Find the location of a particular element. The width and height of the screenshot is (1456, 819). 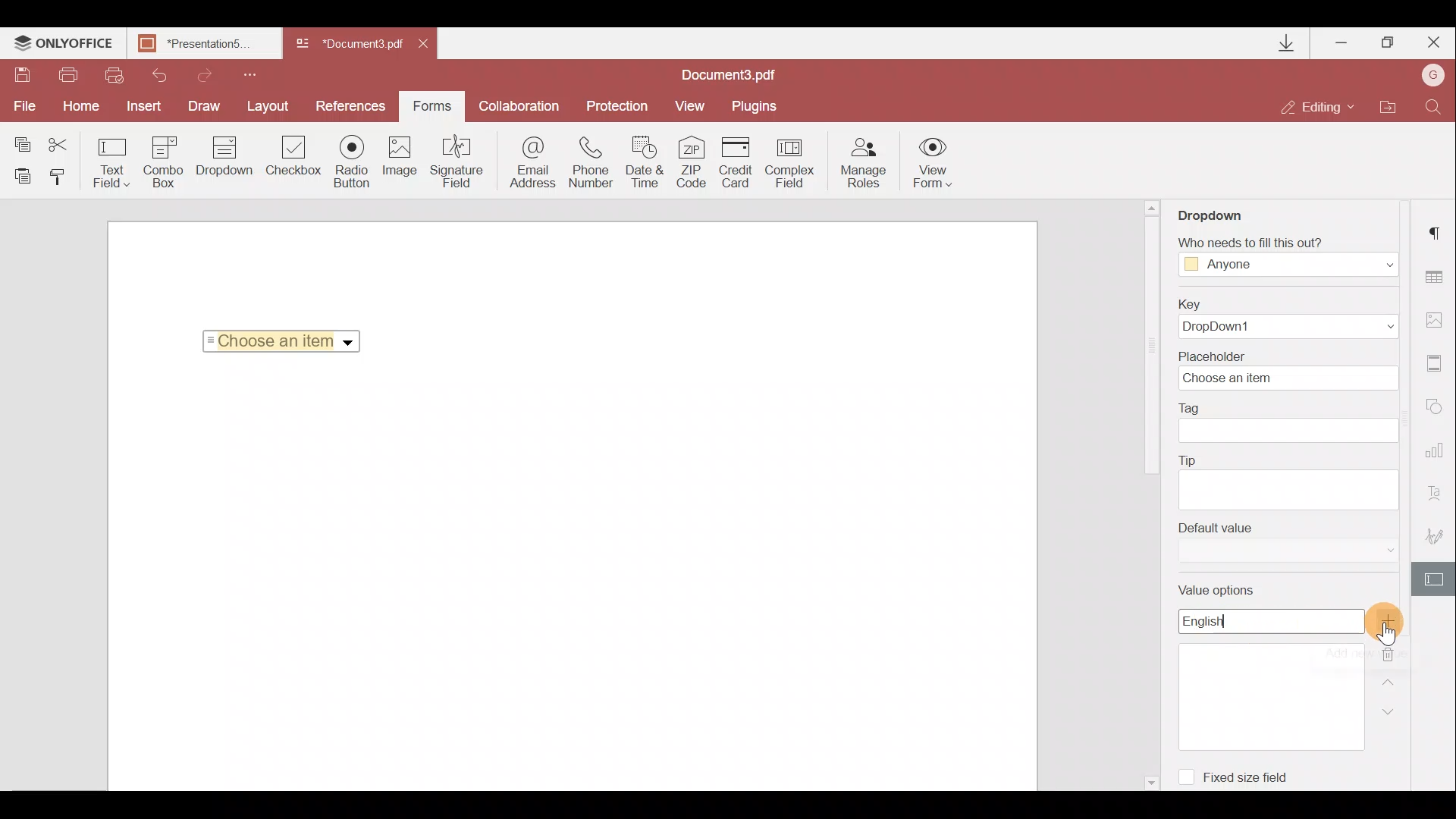

Insert is located at coordinates (140, 103).